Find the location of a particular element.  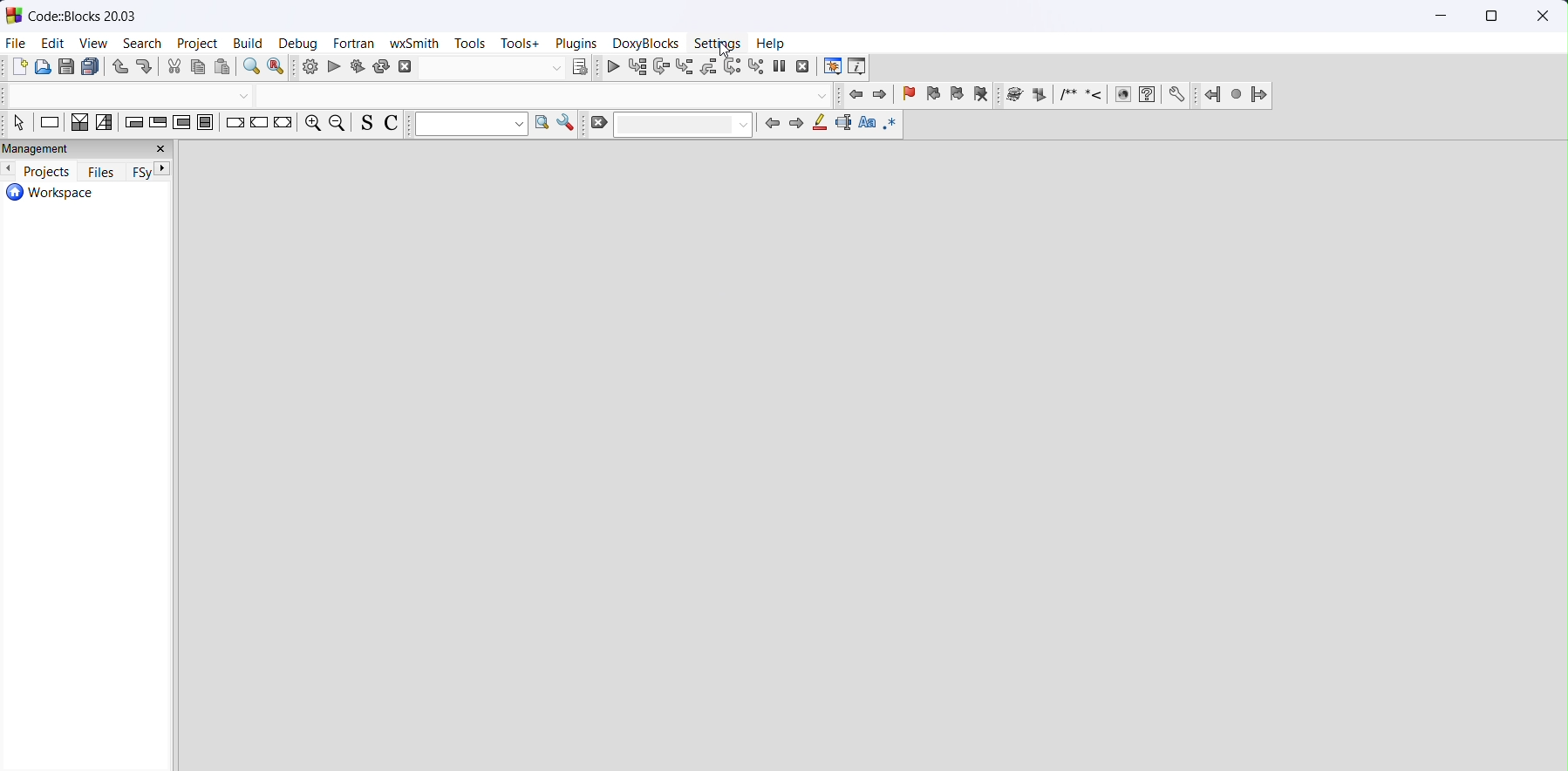

build is located at coordinates (249, 44).